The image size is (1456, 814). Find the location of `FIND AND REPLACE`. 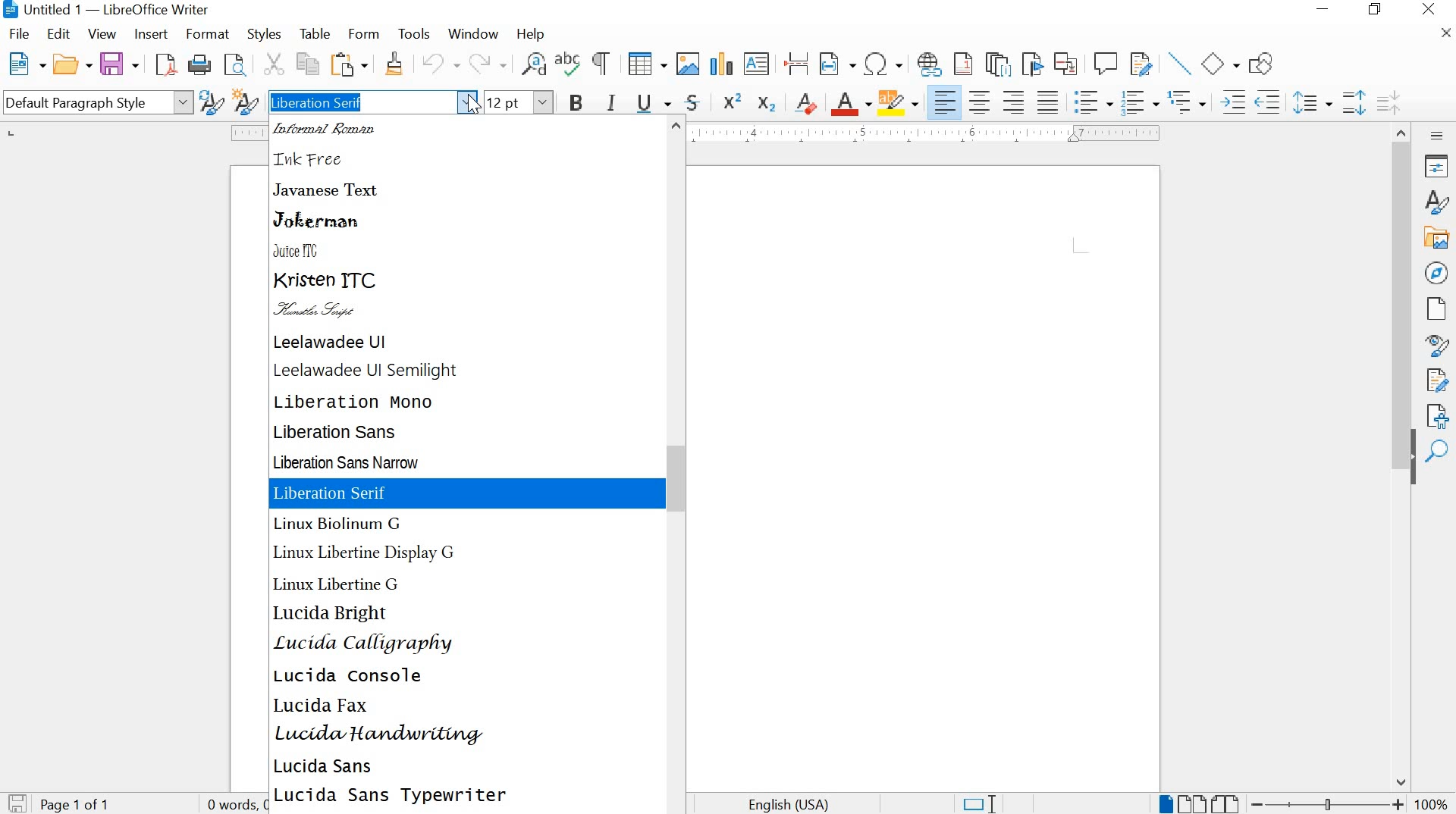

FIND AND REPLACE is located at coordinates (532, 64).